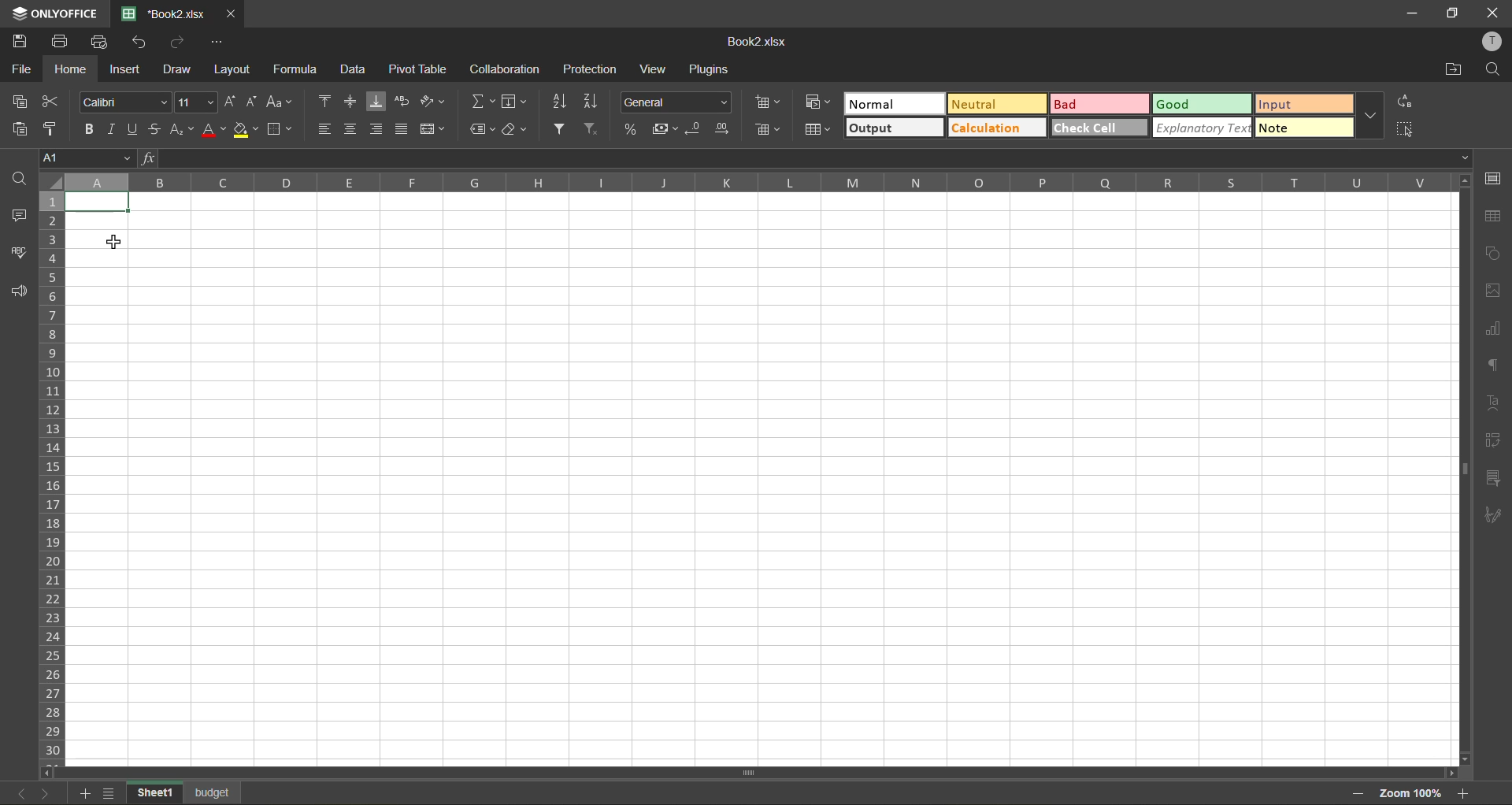  What do you see at coordinates (164, 13) in the screenshot?
I see `filename` at bounding box center [164, 13].